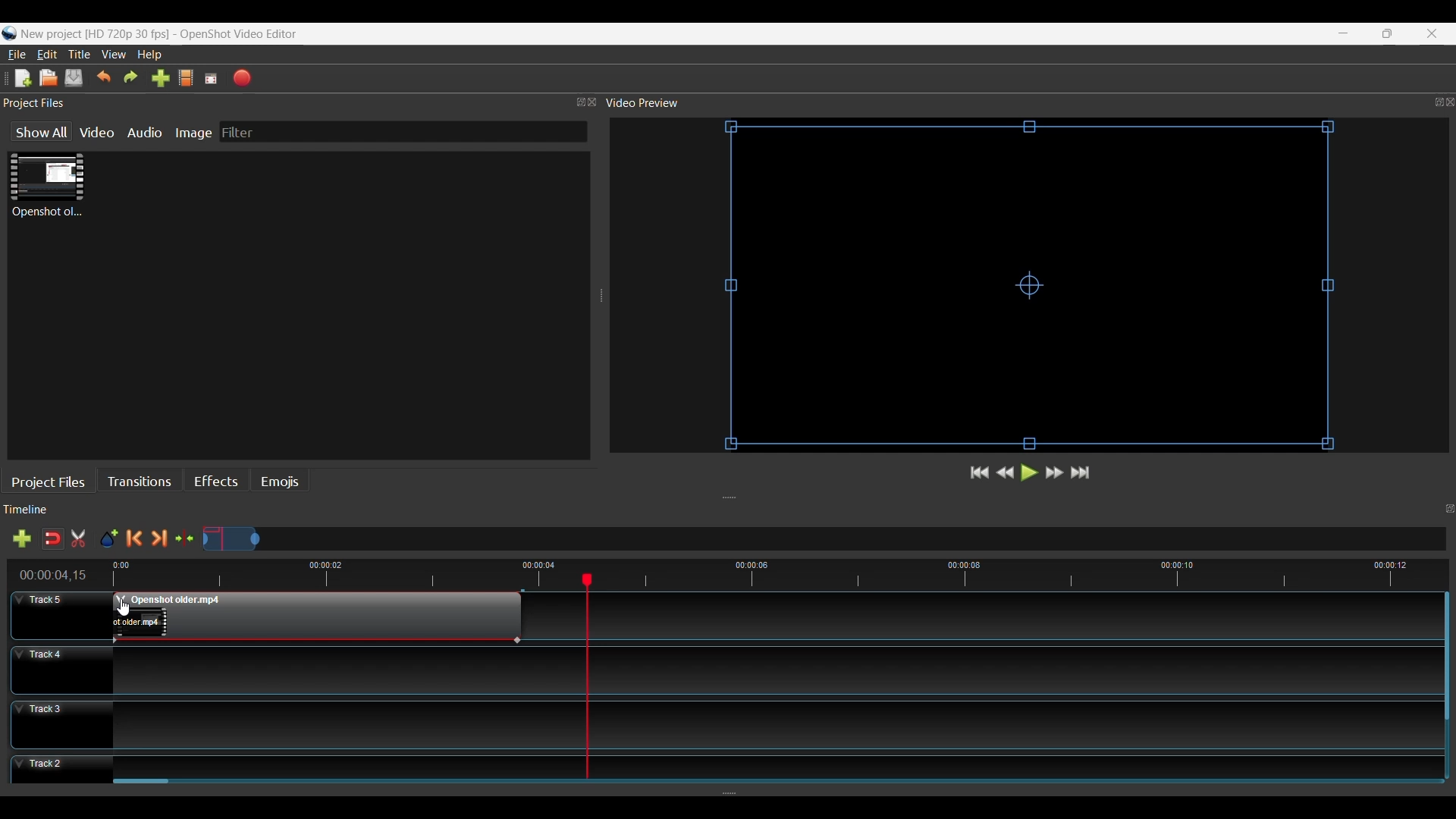 This screenshot has height=819, width=1456. What do you see at coordinates (188, 539) in the screenshot?
I see `Center the timeline at the playhead` at bounding box center [188, 539].